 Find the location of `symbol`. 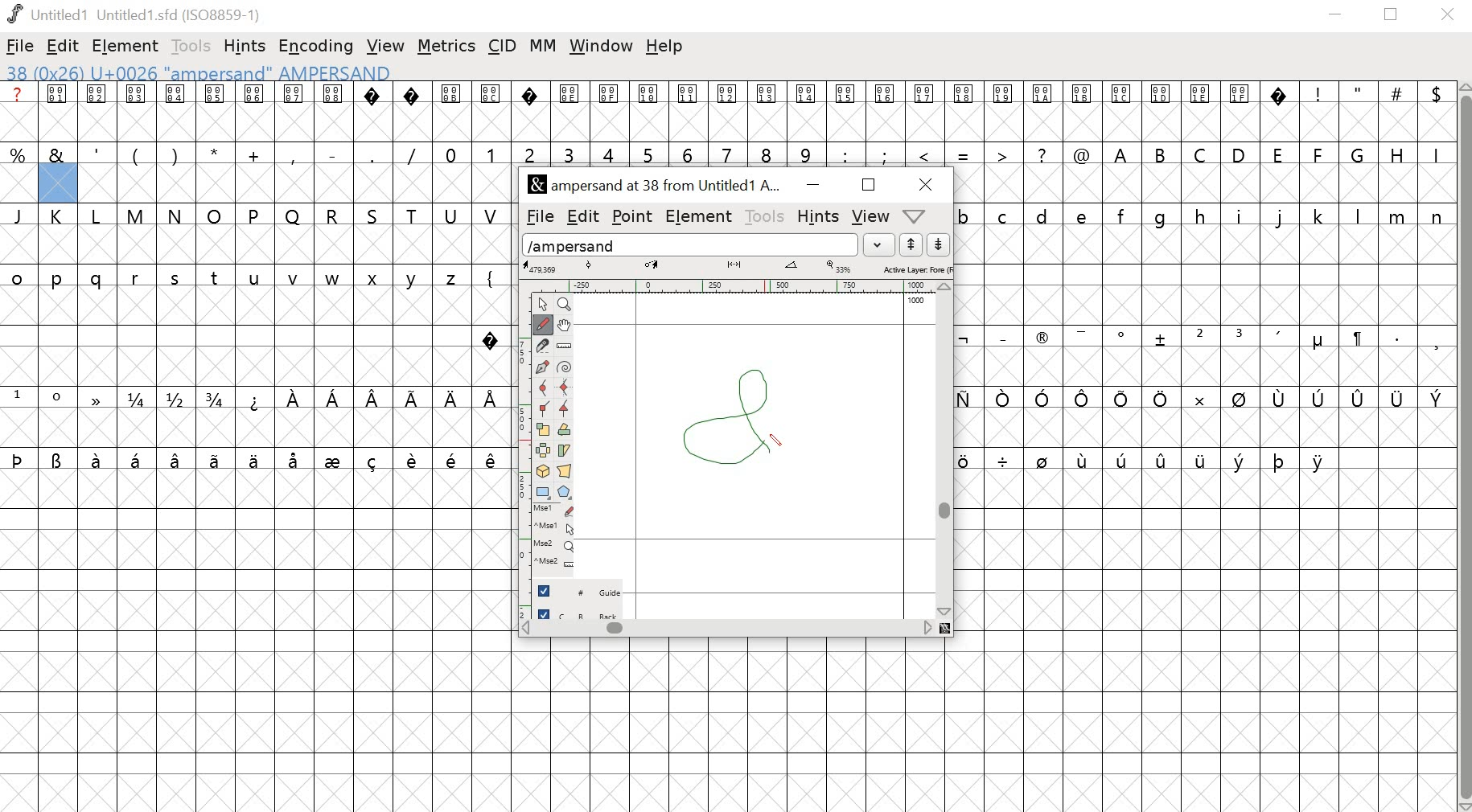

symbol is located at coordinates (1201, 459).